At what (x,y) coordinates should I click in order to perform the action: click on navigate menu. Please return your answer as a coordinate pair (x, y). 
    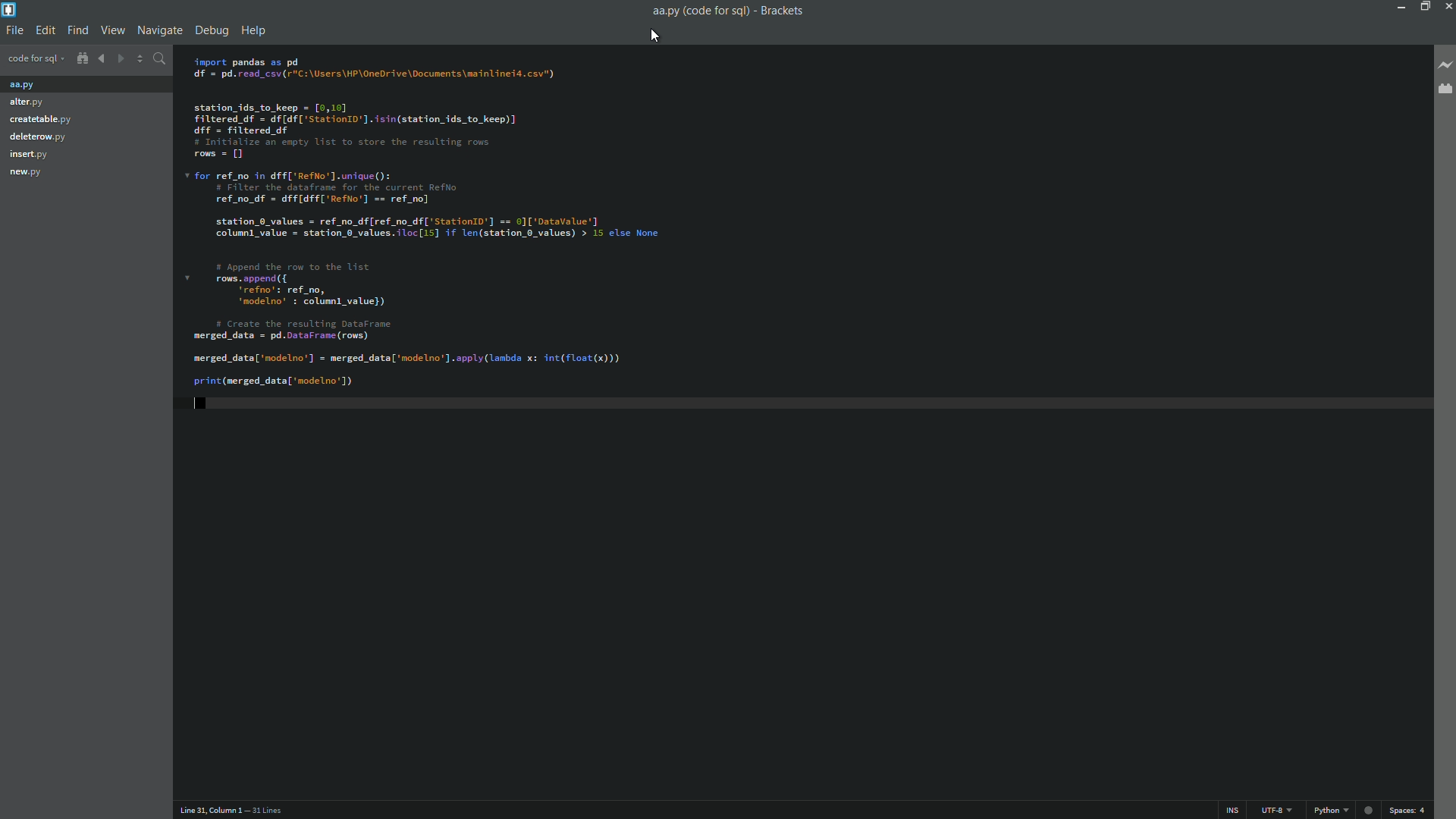
    Looking at the image, I should click on (160, 31).